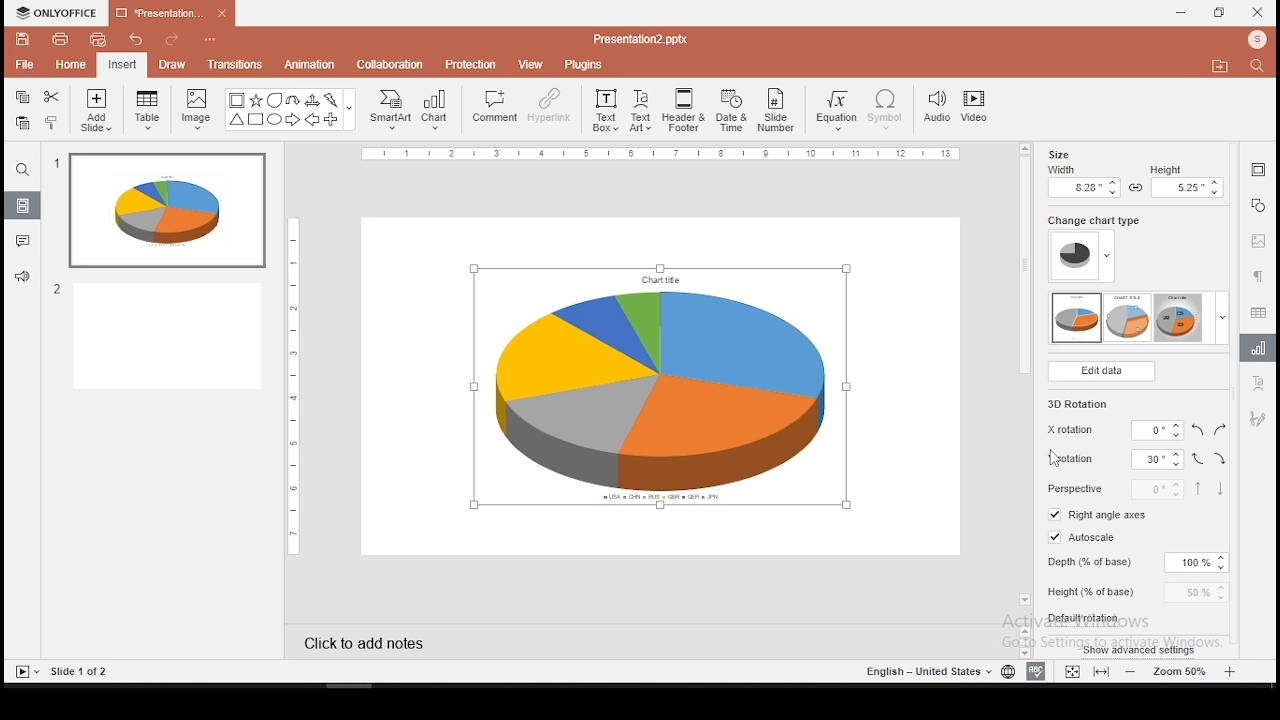 The height and width of the screenshot is (720, 1280). Describe the element at coordinates (1257, 41) in the screenshot. I see `icon` at that location.